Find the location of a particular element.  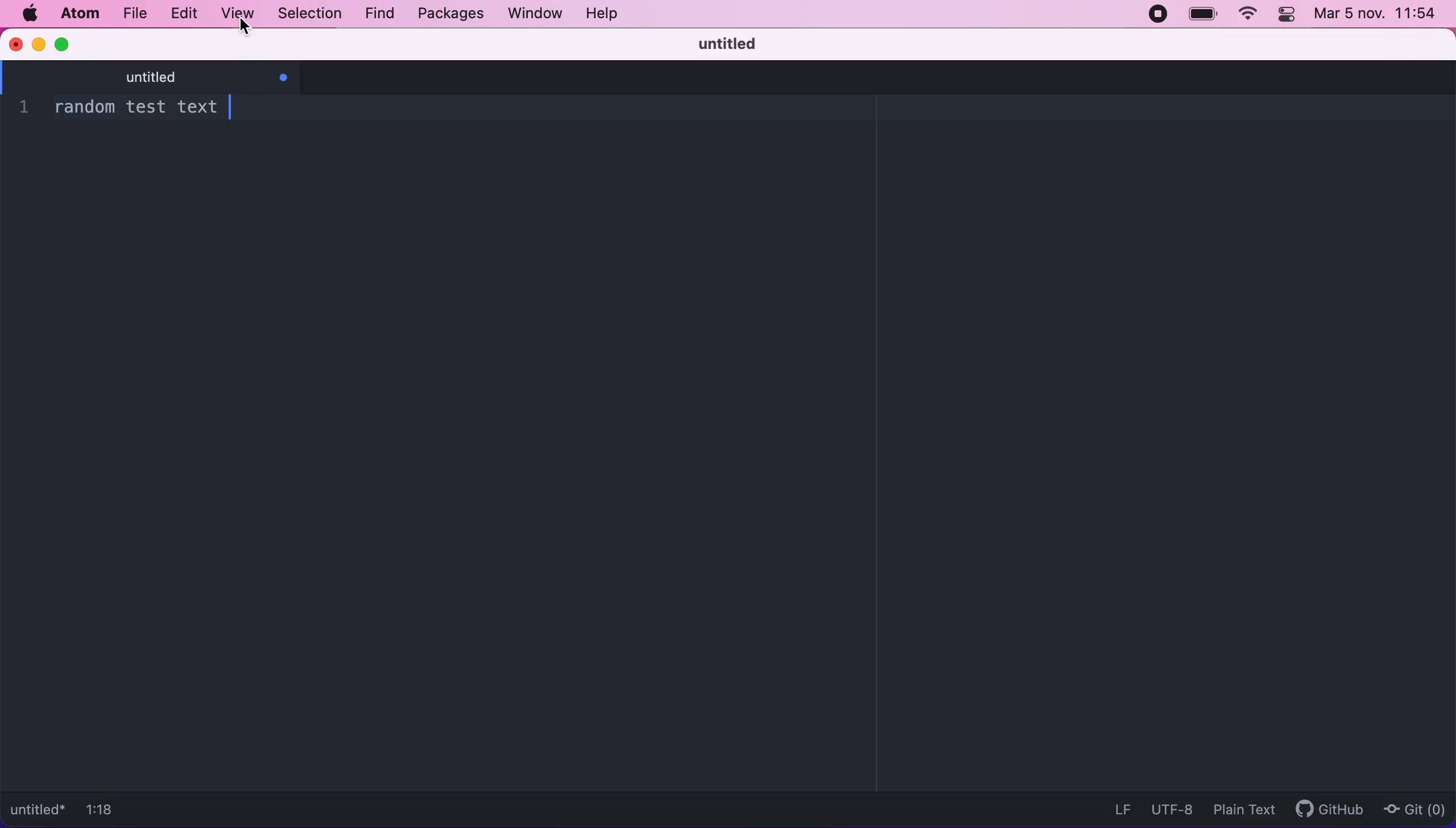

battery is located at coordinates (1203, 14).